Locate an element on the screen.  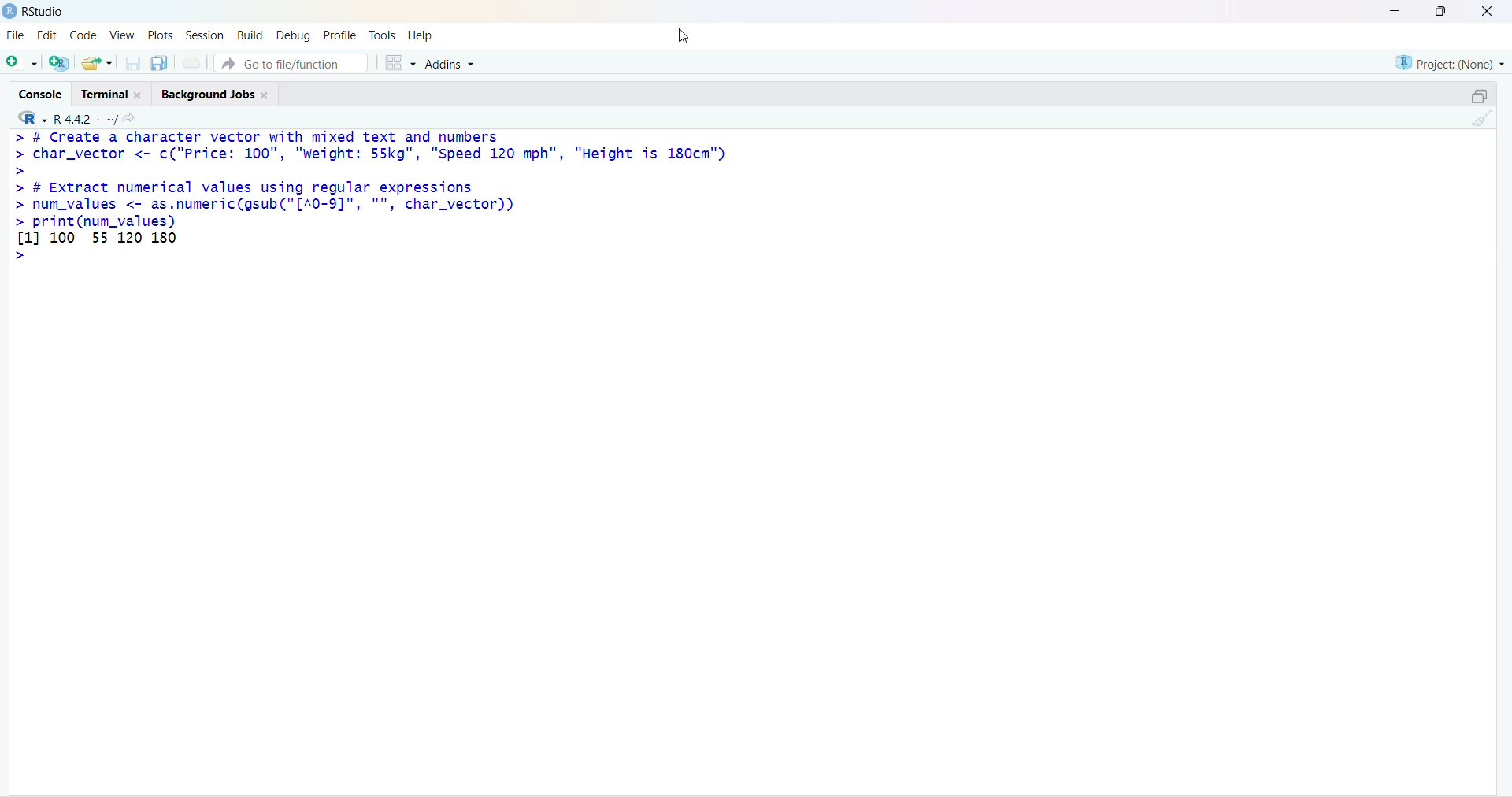
R. 4.4.2 ~/ is located at coordinates (84, 120).